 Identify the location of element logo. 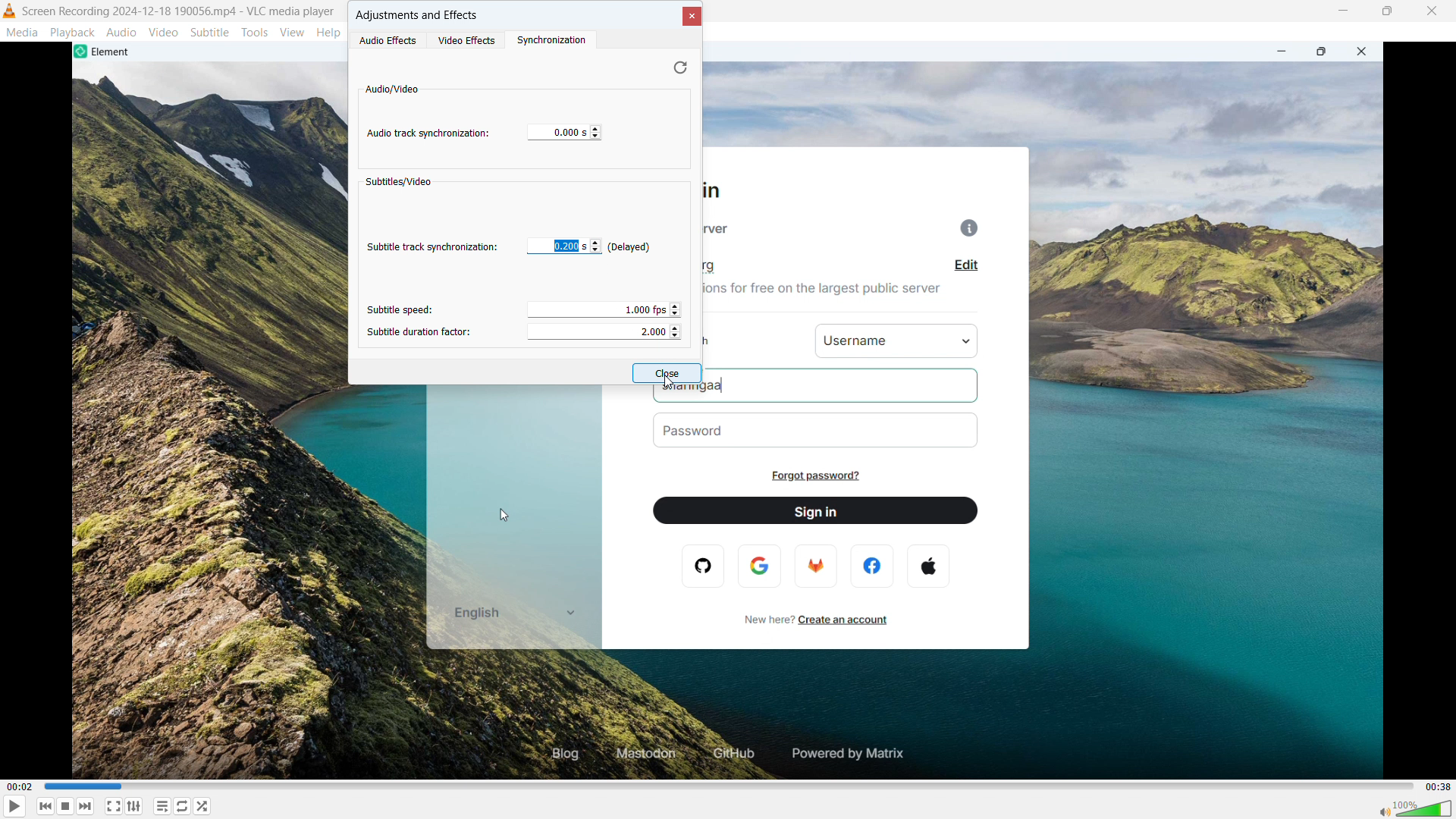
(79, 52).